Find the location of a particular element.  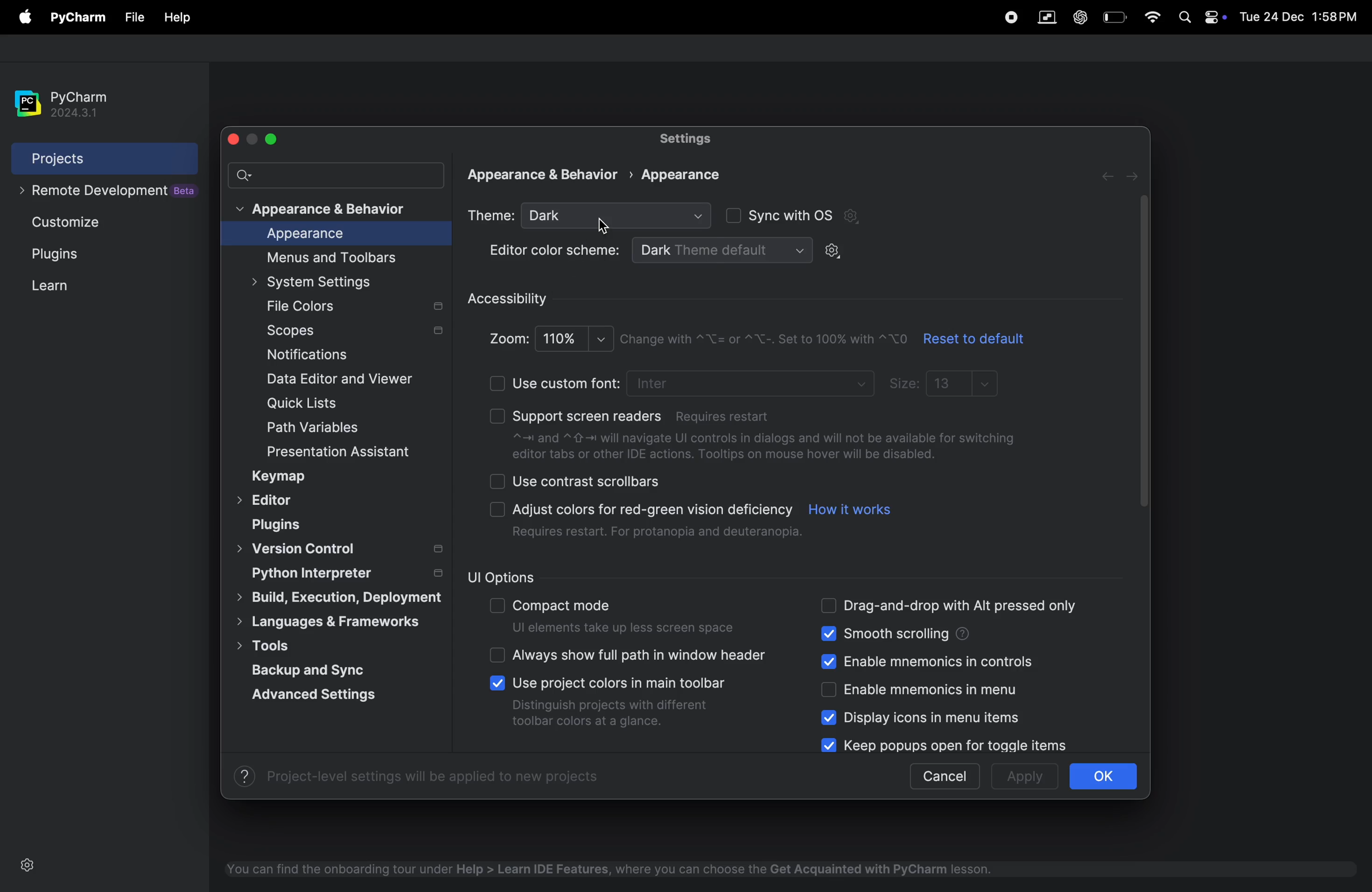

ui options is located at coordinates (504, 575).